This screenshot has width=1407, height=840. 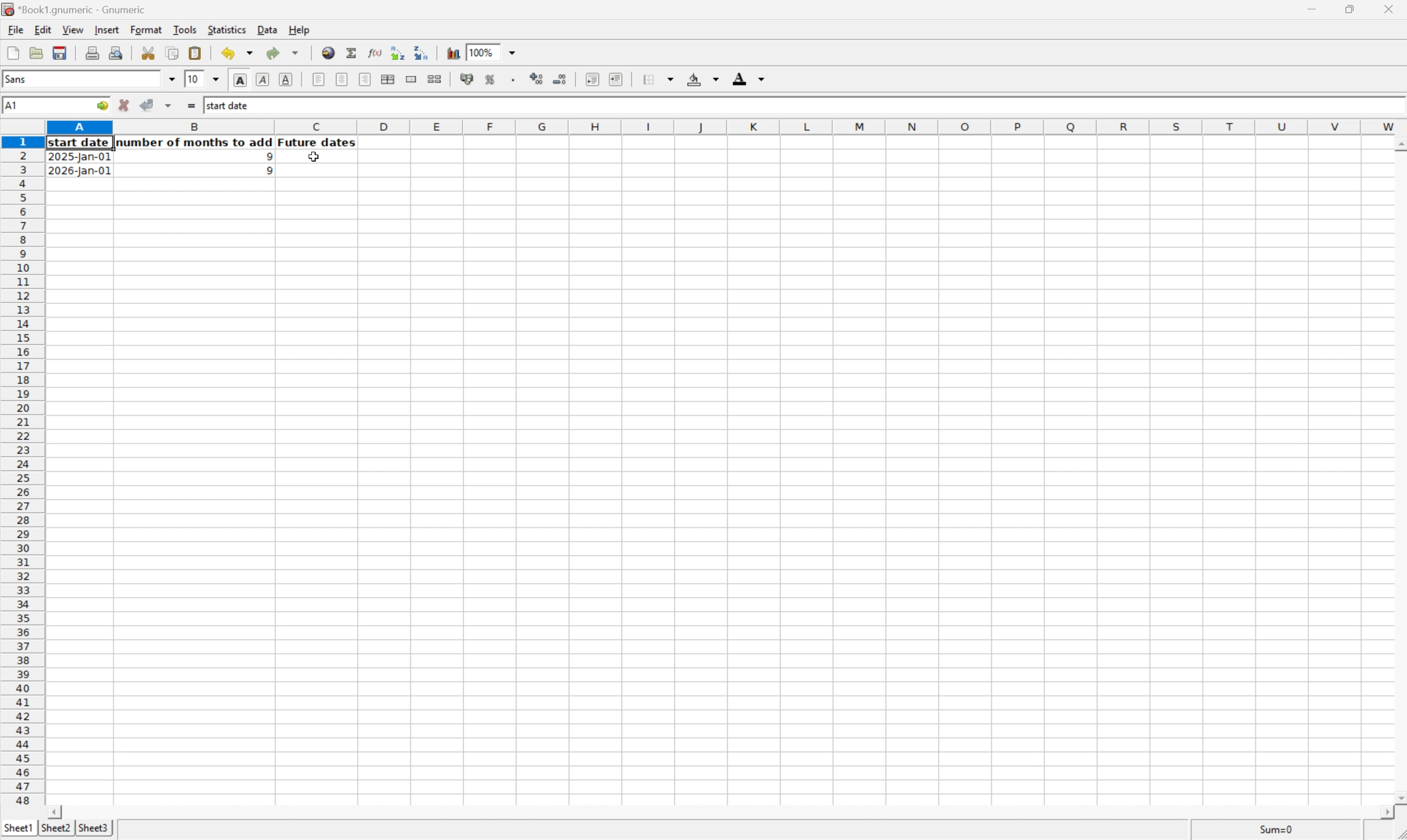 I want to click on 9, so click(x=265, y=172).